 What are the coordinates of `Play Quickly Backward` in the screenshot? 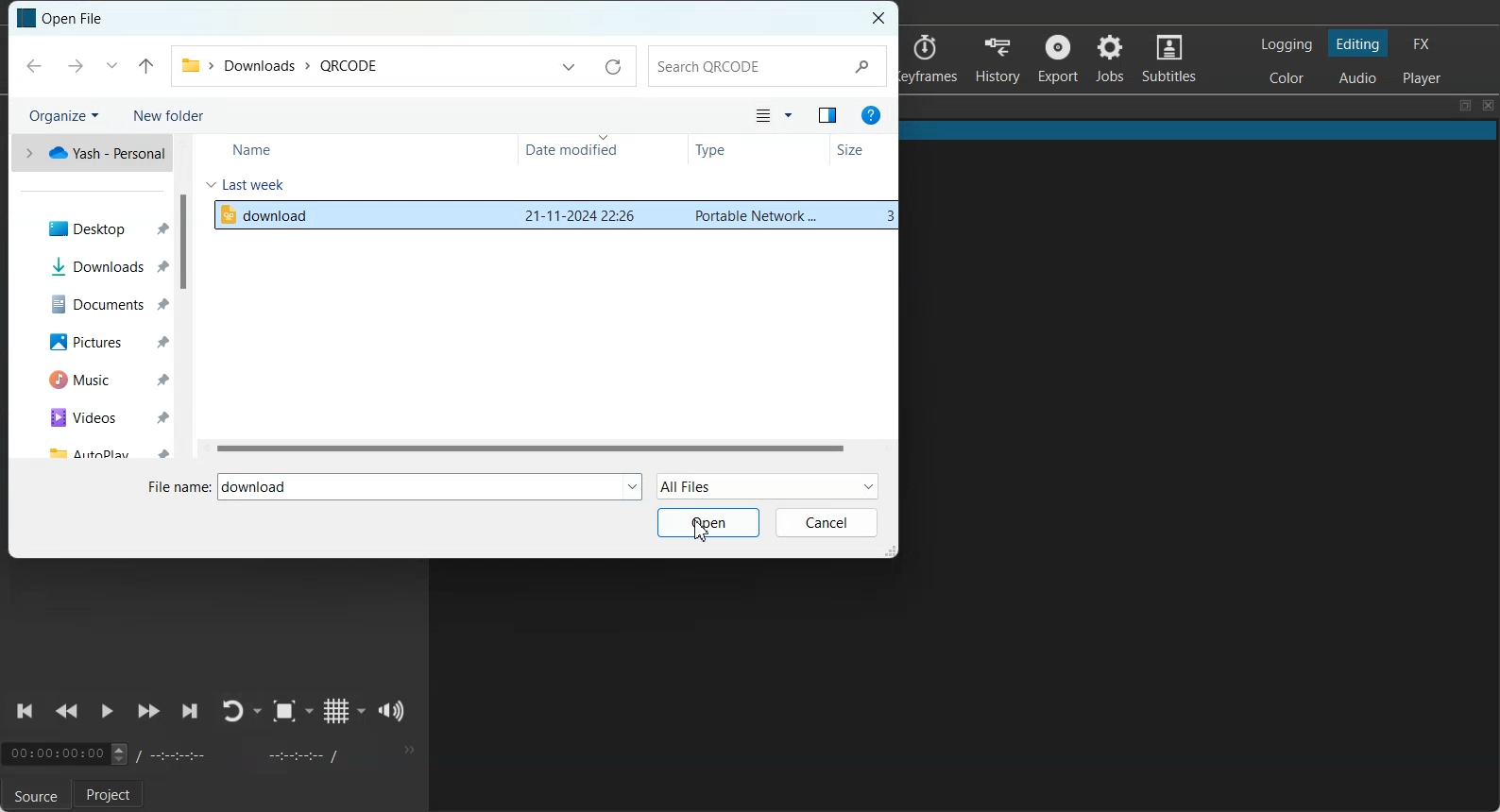 It's located at (67, 712).